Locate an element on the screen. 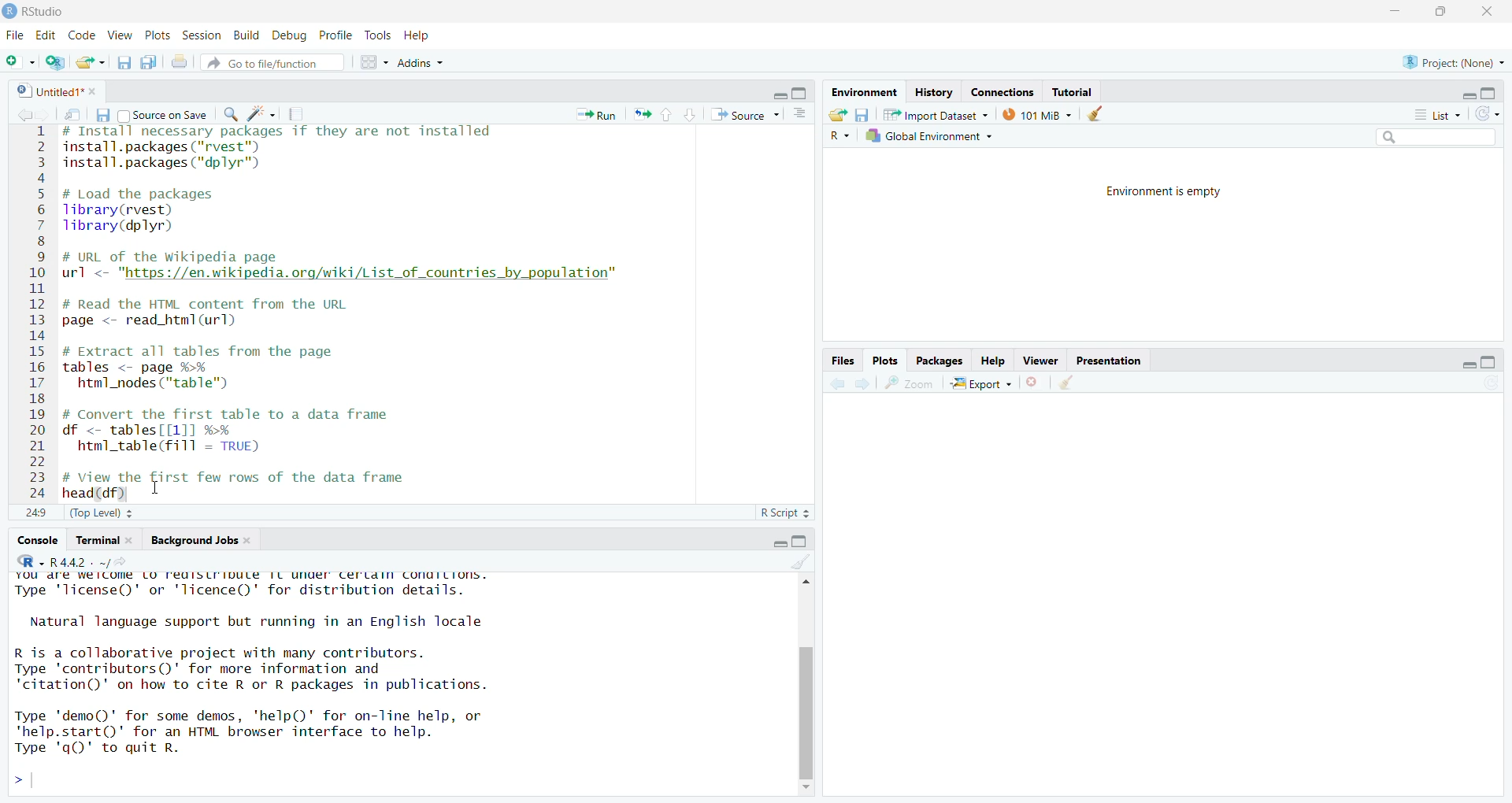 The image size is (1512, 803). Session is located at coordinates (202, 35).